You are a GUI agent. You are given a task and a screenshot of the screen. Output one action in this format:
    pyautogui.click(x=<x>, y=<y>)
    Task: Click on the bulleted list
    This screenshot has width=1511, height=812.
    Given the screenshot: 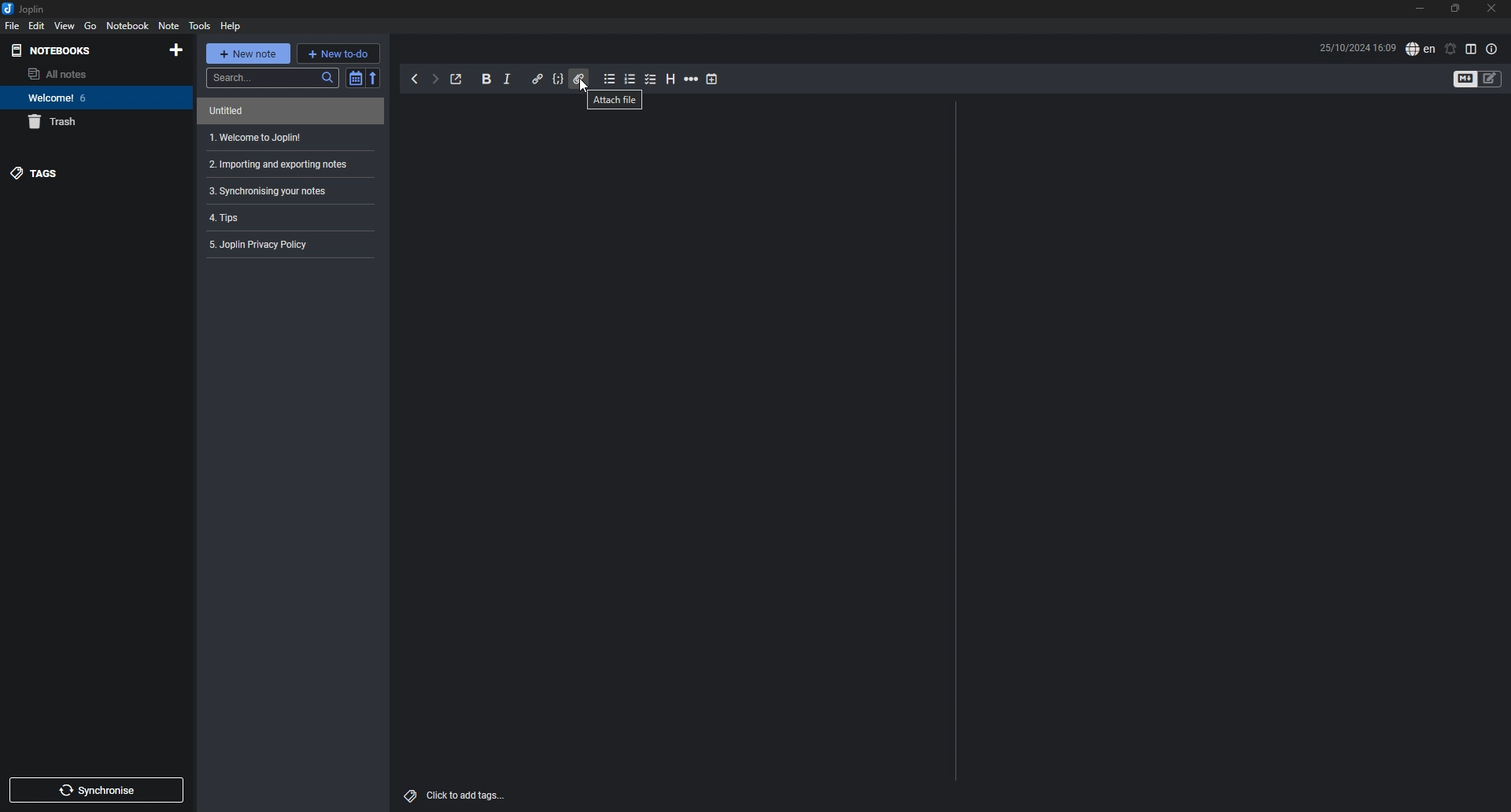 What is the action you would take?
    pyautogui.click(x=610, y=79)
    